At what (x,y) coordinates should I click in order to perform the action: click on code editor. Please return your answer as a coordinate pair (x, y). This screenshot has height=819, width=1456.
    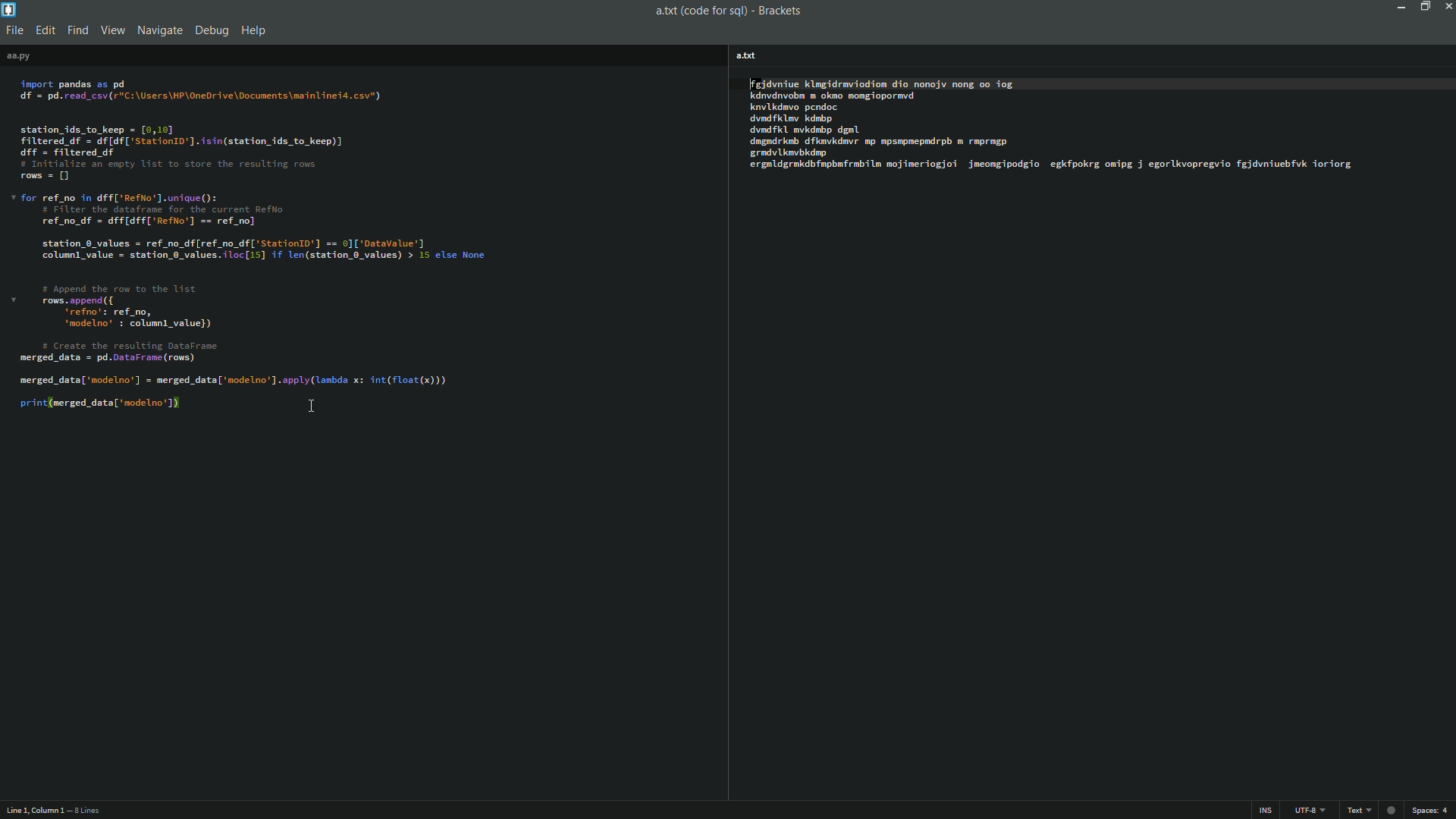
    Looking at the image, I should click on (264, 257).